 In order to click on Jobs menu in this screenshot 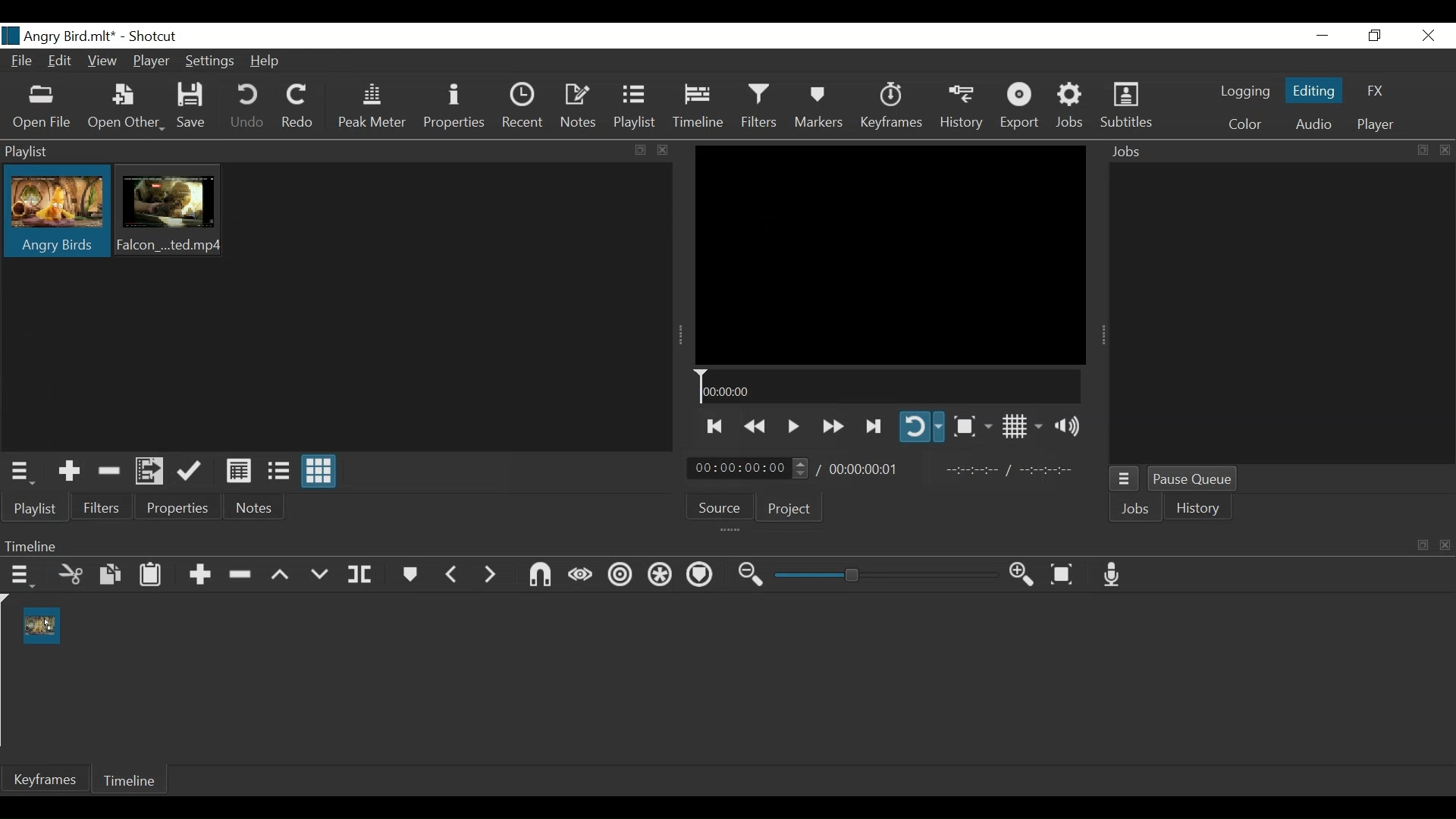, I will do `click(1126, 478)`.